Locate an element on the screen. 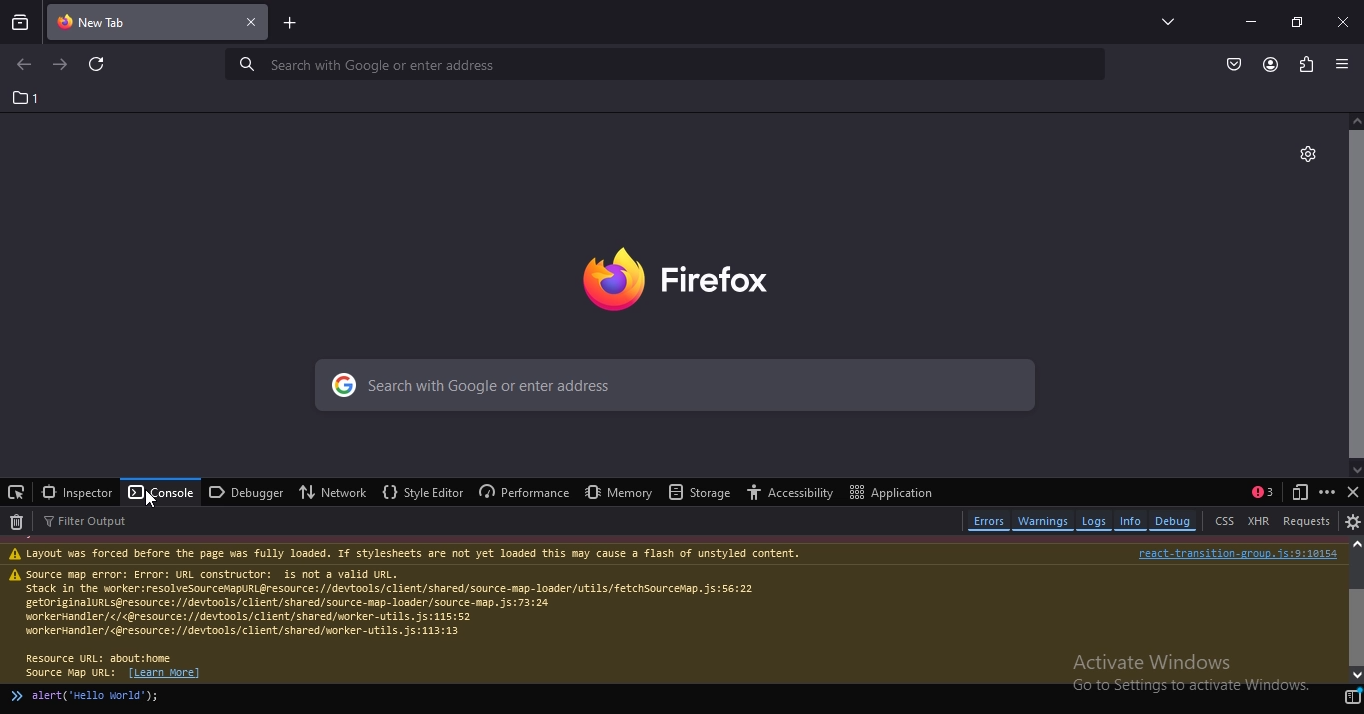 The image size is (1364, 714). accessibilty is located at coordinates (793, 491).